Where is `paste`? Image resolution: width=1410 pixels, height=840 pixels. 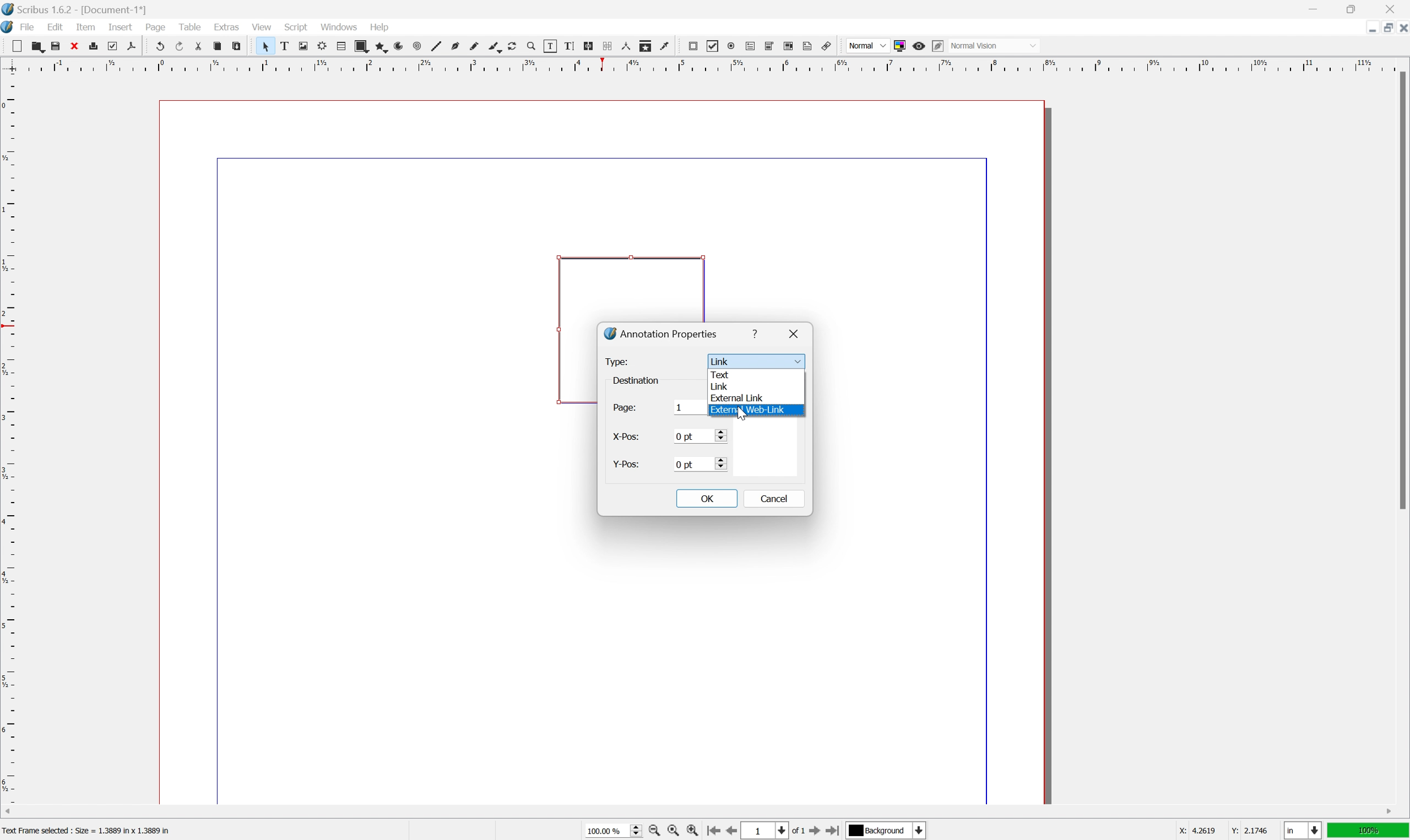 paste is located at coordinates (236, 46).